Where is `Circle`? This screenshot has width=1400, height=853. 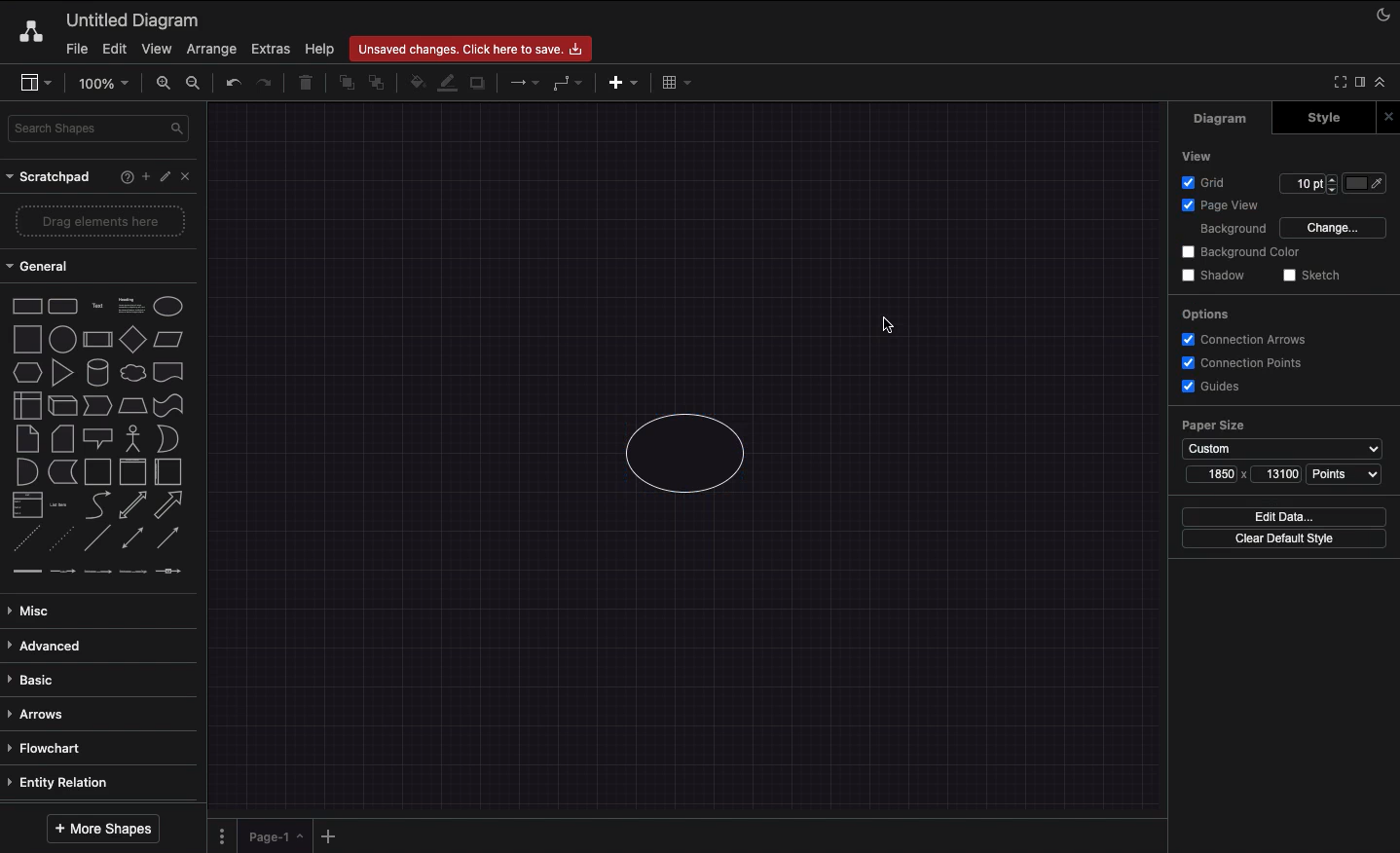
Circle is located at coordinates (168, 306).